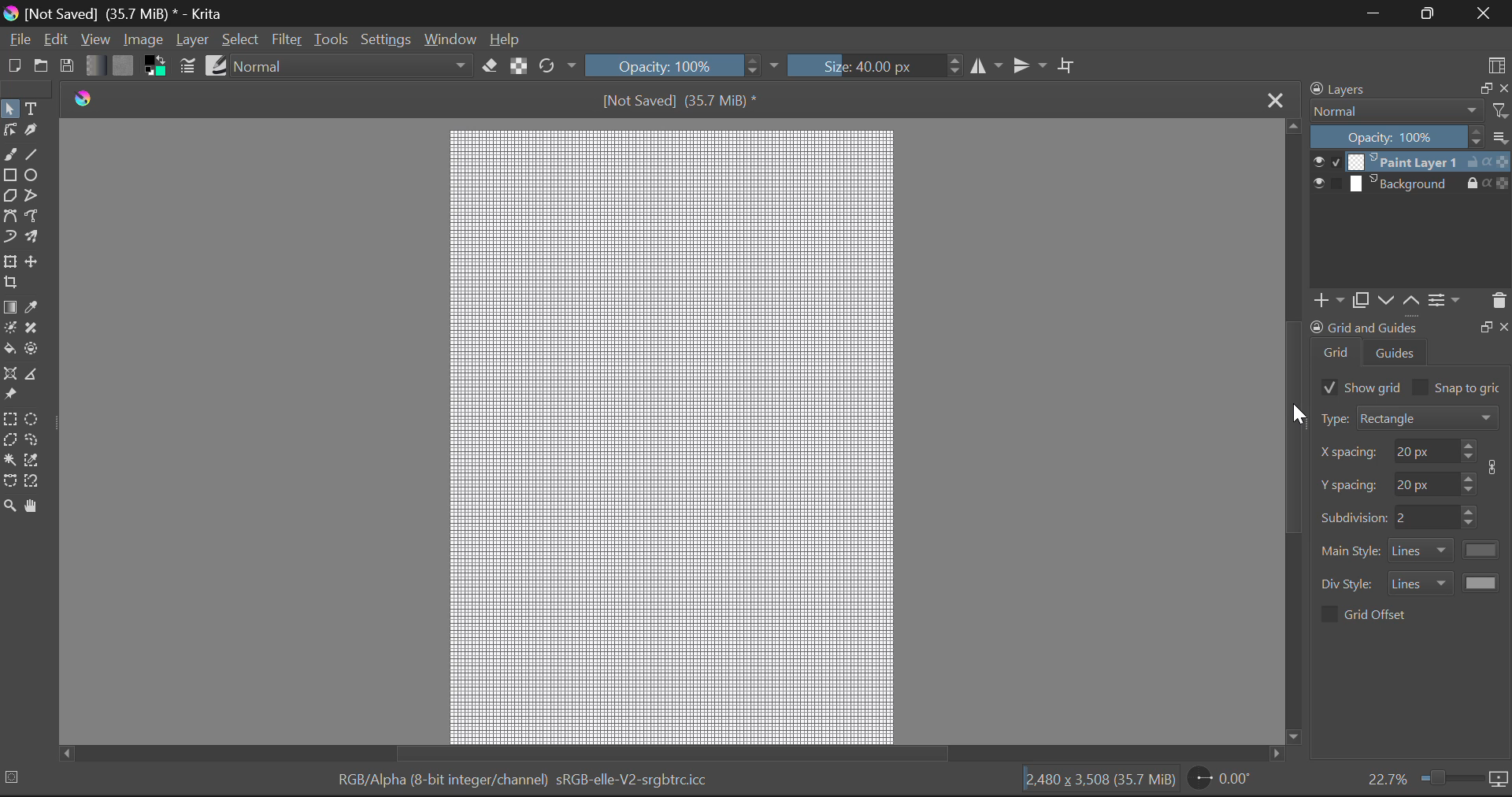 The image size is (1512, 797). I want to click on zoom value, so click(1387, 777).